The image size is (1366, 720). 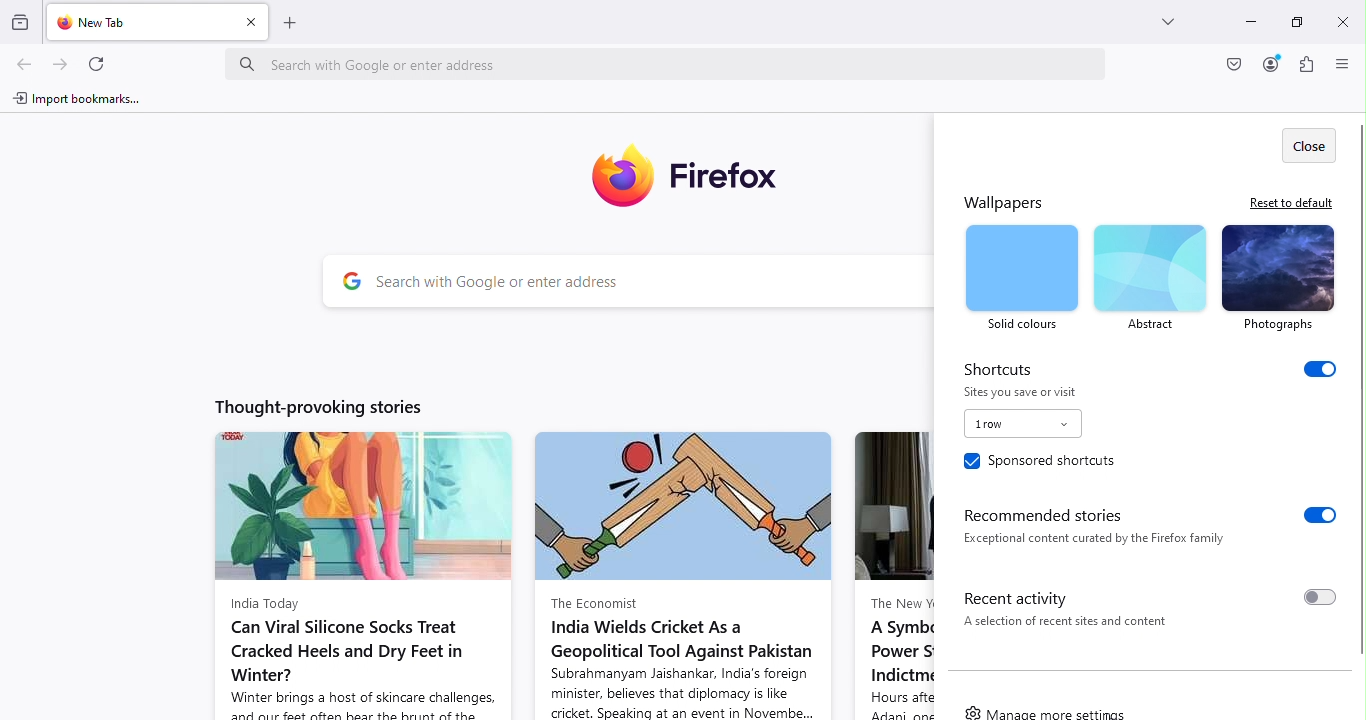 What do you see at coordinates (1278, 280) in the screenshot?
I see `Photographs` at bounding box center [1278, 280].